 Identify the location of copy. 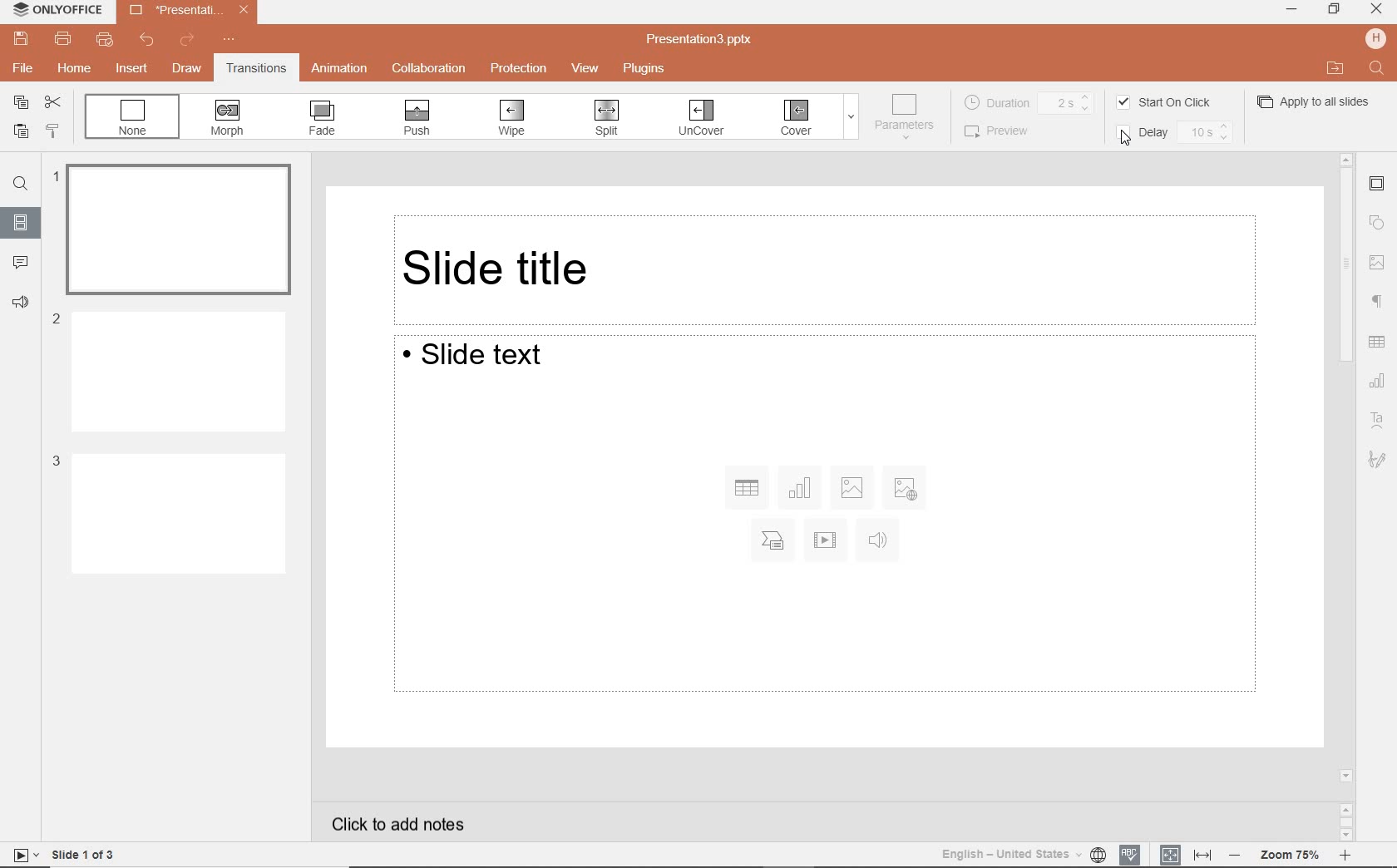
(17, 104).